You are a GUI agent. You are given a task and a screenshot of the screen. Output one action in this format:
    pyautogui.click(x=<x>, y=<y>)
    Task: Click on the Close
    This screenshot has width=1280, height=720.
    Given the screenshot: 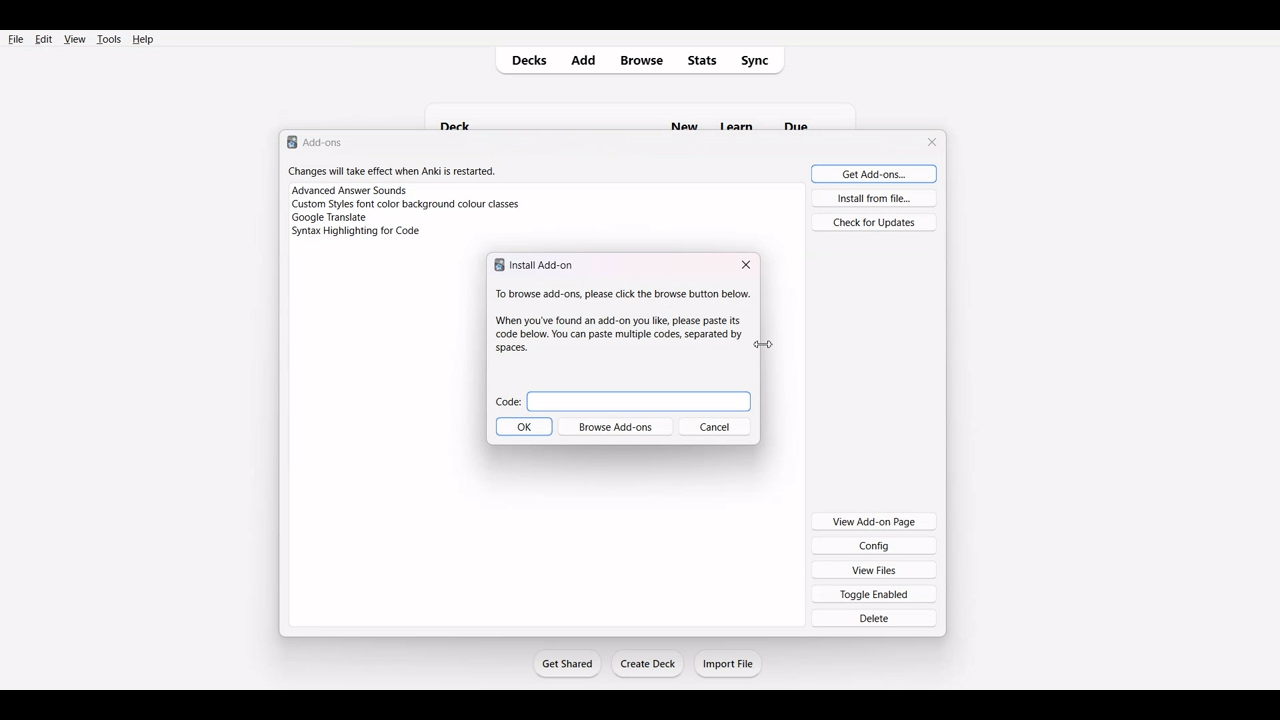 What is the action you would take?
    pyautogui.click(x=746, y=265)
    